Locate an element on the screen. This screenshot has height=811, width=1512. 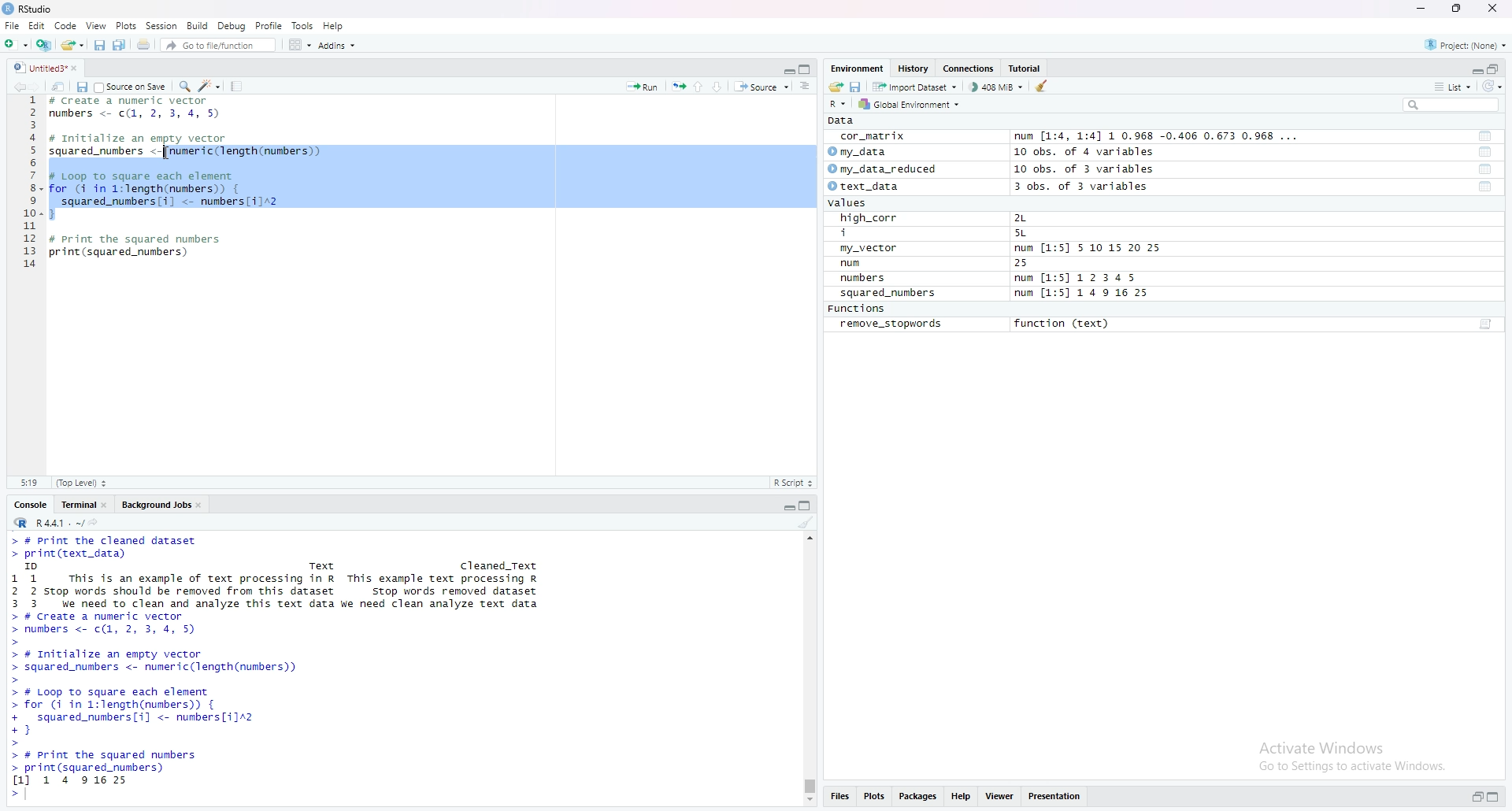
Build is located at coordinates (198, 25).